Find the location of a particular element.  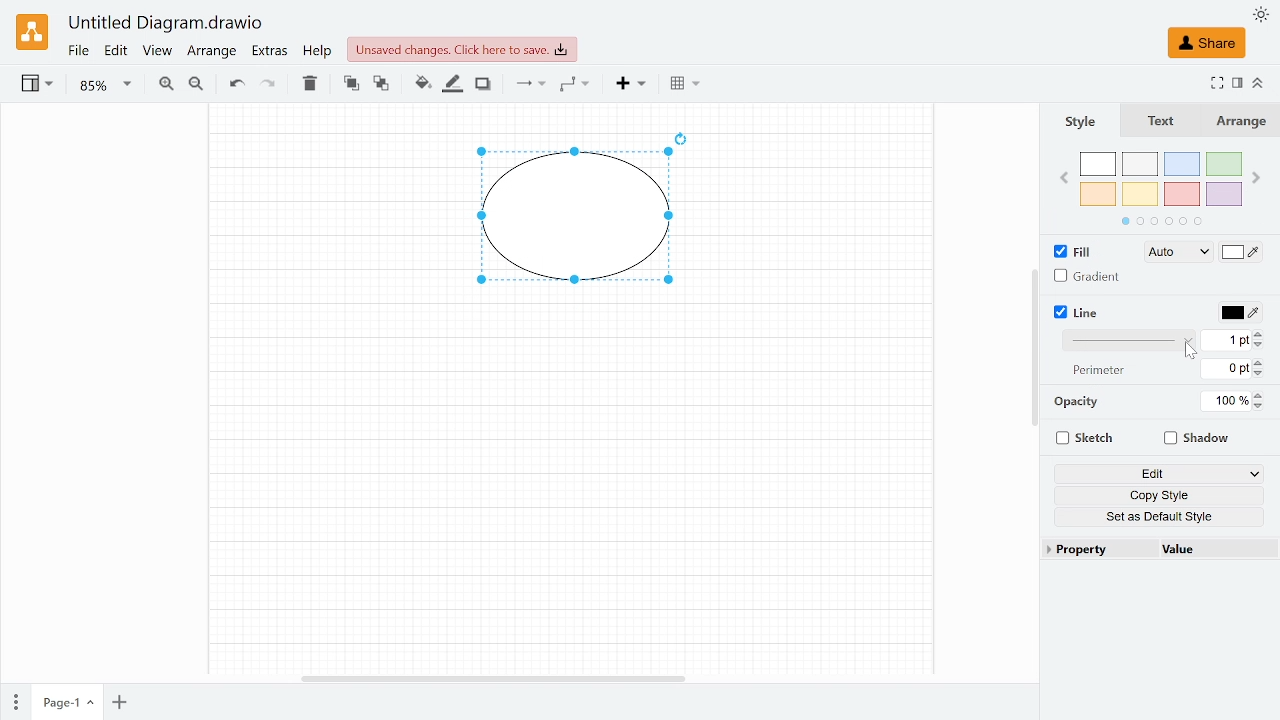

Help is located at coordinates (318, 52).